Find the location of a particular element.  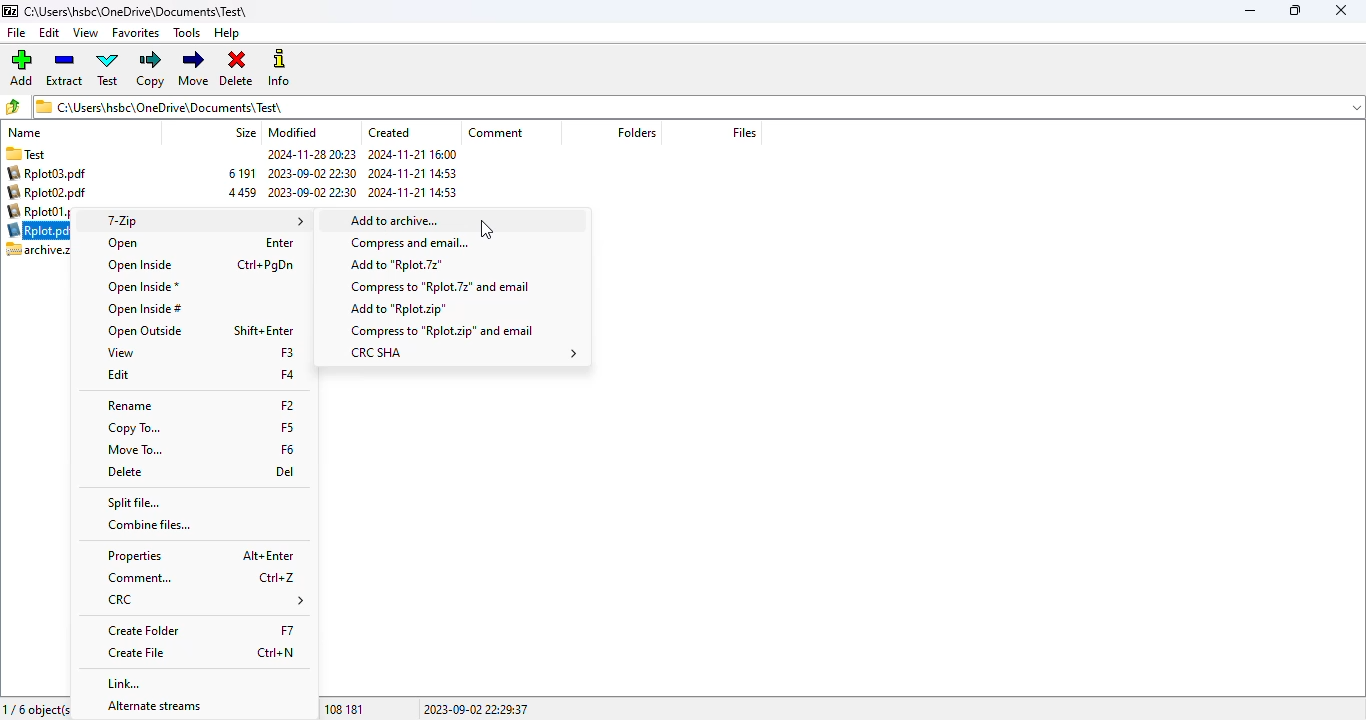

maximize is located at coordinates (1295, 9).